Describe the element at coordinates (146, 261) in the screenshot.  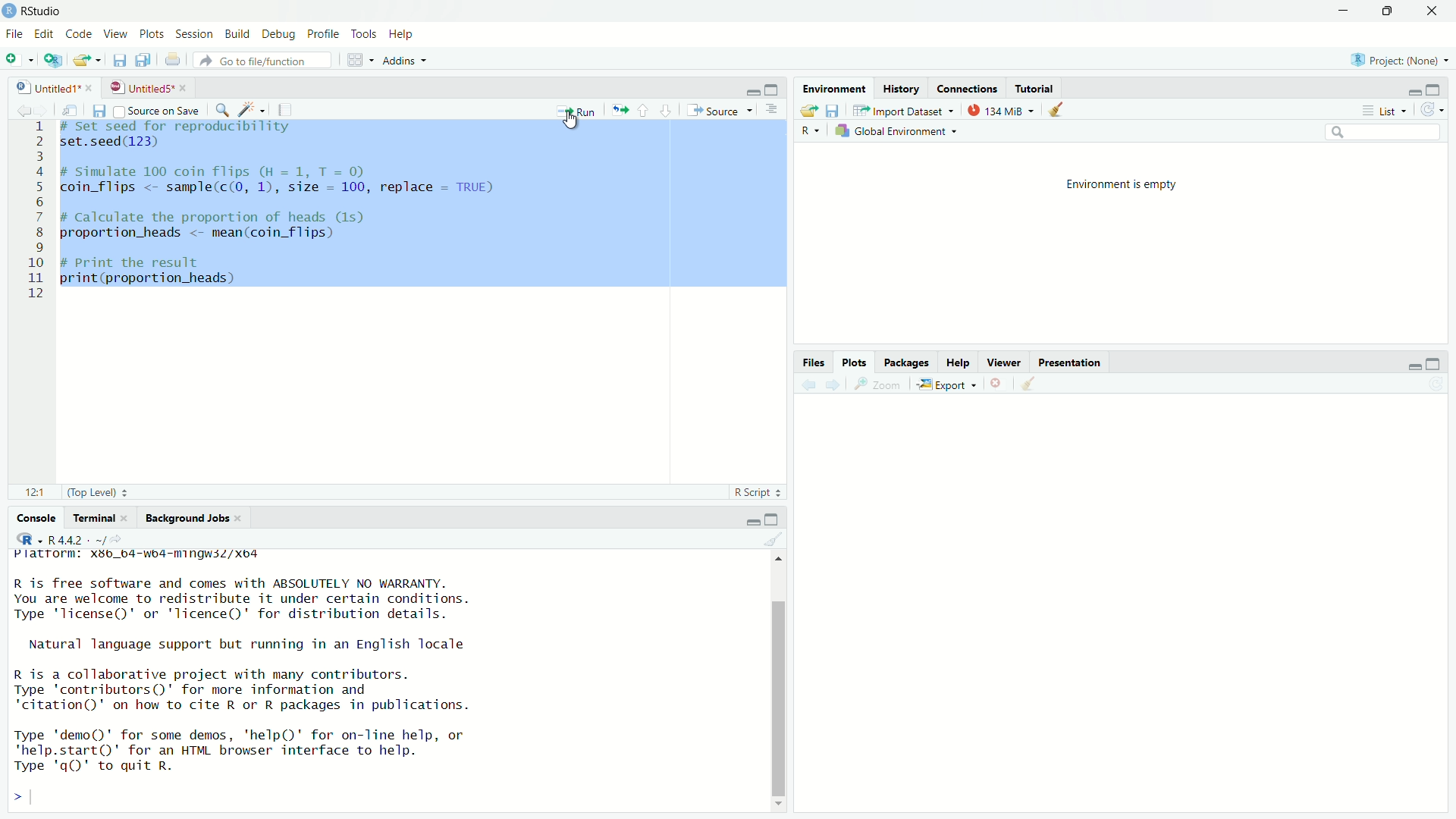
I see `# Print the result` at that location.